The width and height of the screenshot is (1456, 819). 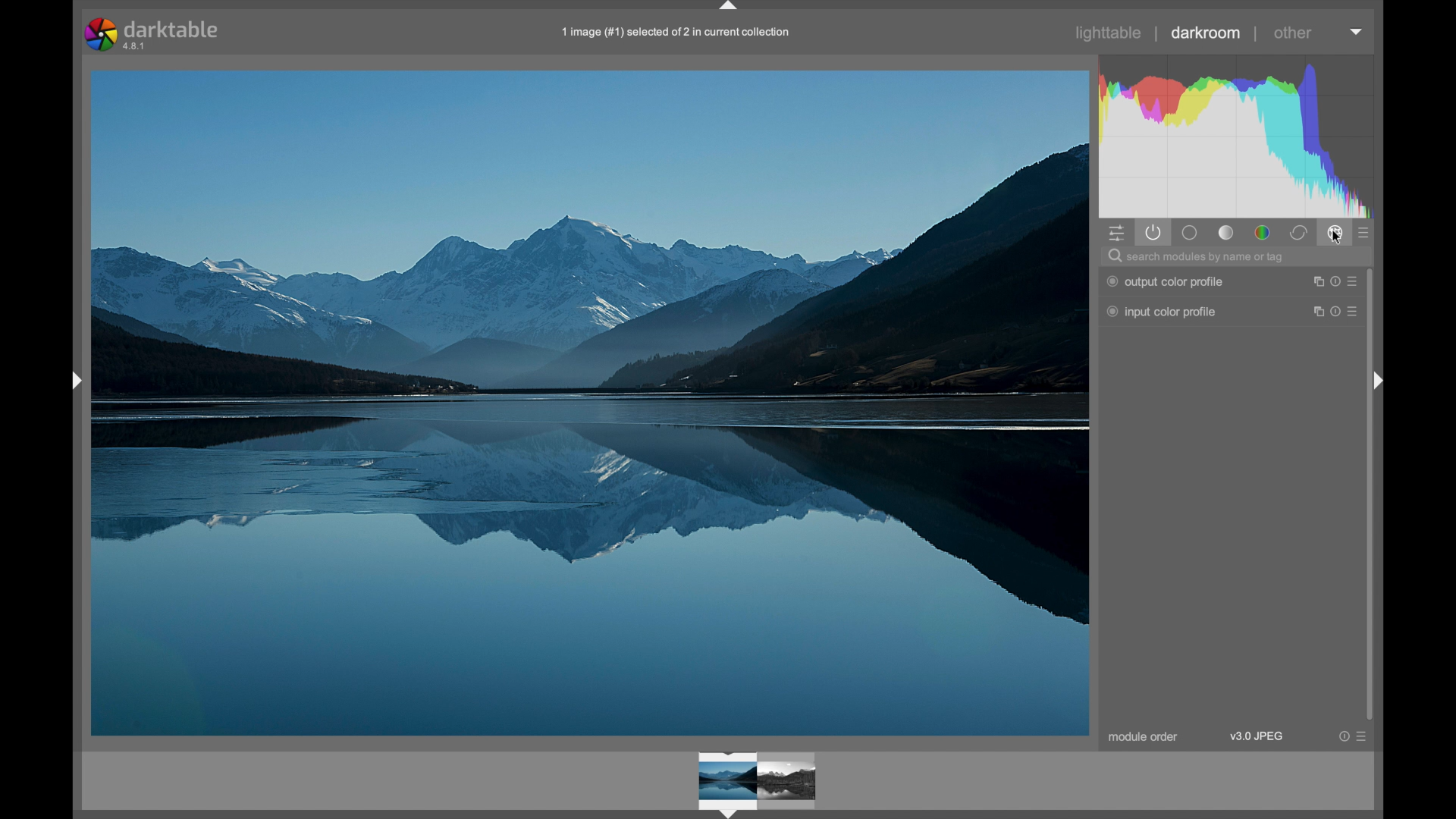 I want to click on other, so click(x=1292, y=33).